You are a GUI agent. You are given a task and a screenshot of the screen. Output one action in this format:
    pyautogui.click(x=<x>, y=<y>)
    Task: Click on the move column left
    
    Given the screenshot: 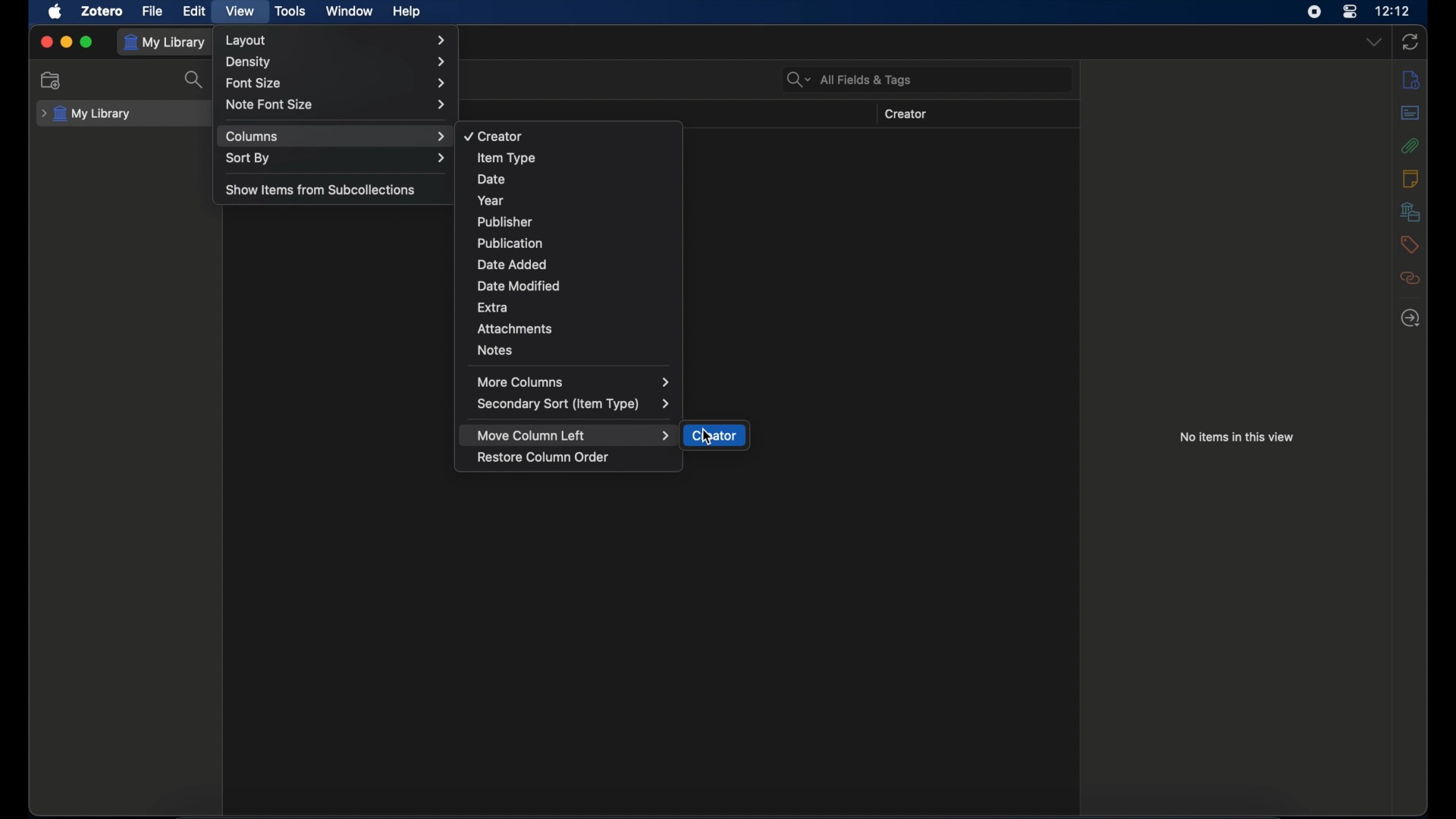 What is the action you would take?
    pyautogui.click(x=574, y=435)
    